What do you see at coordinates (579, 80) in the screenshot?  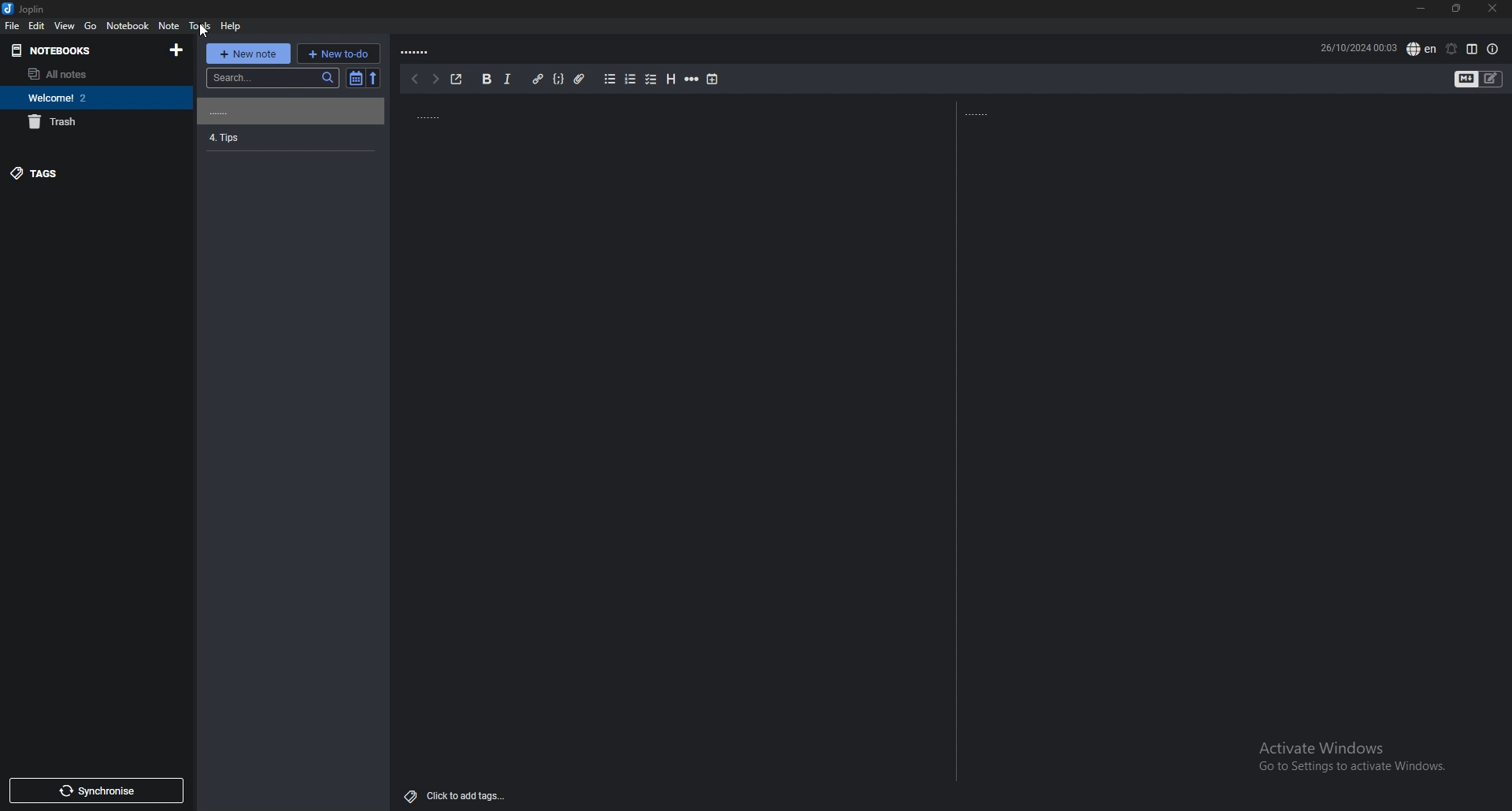 I see `add attachment` at bounding box center [579, 80].